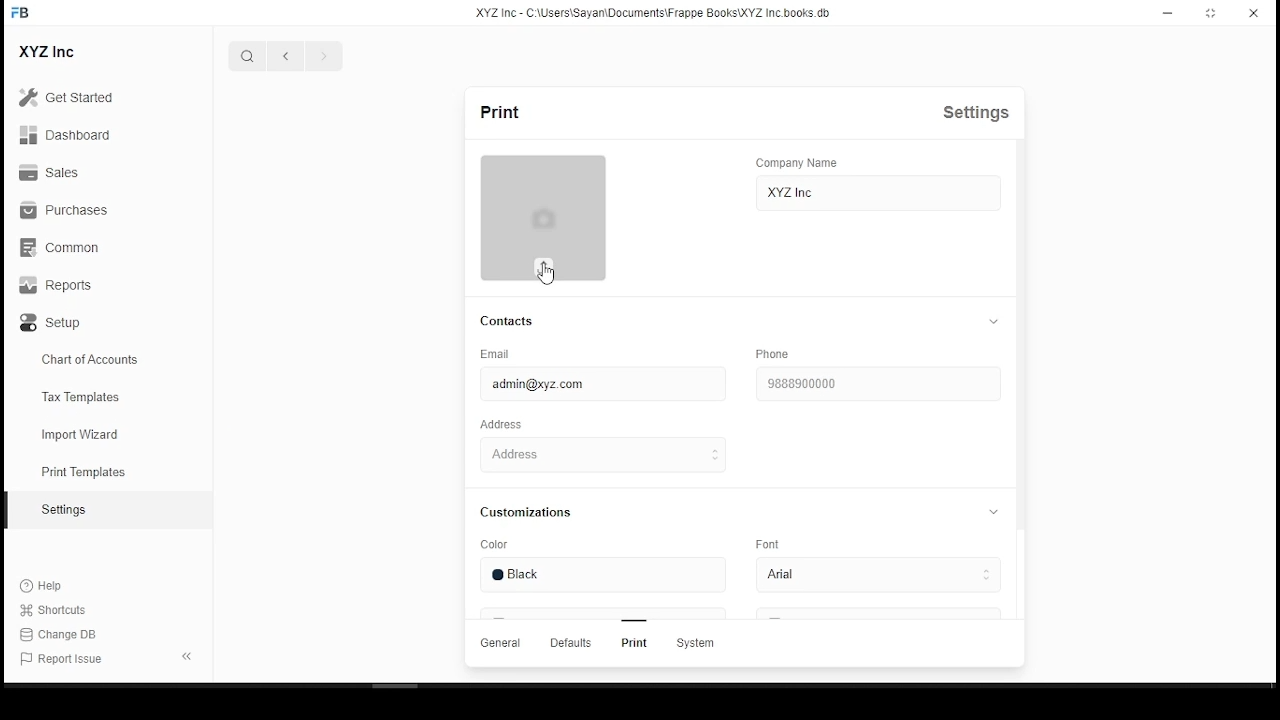  Describe the element at coordinates (546, 455) in the screenshot. I see `Address` at that location.